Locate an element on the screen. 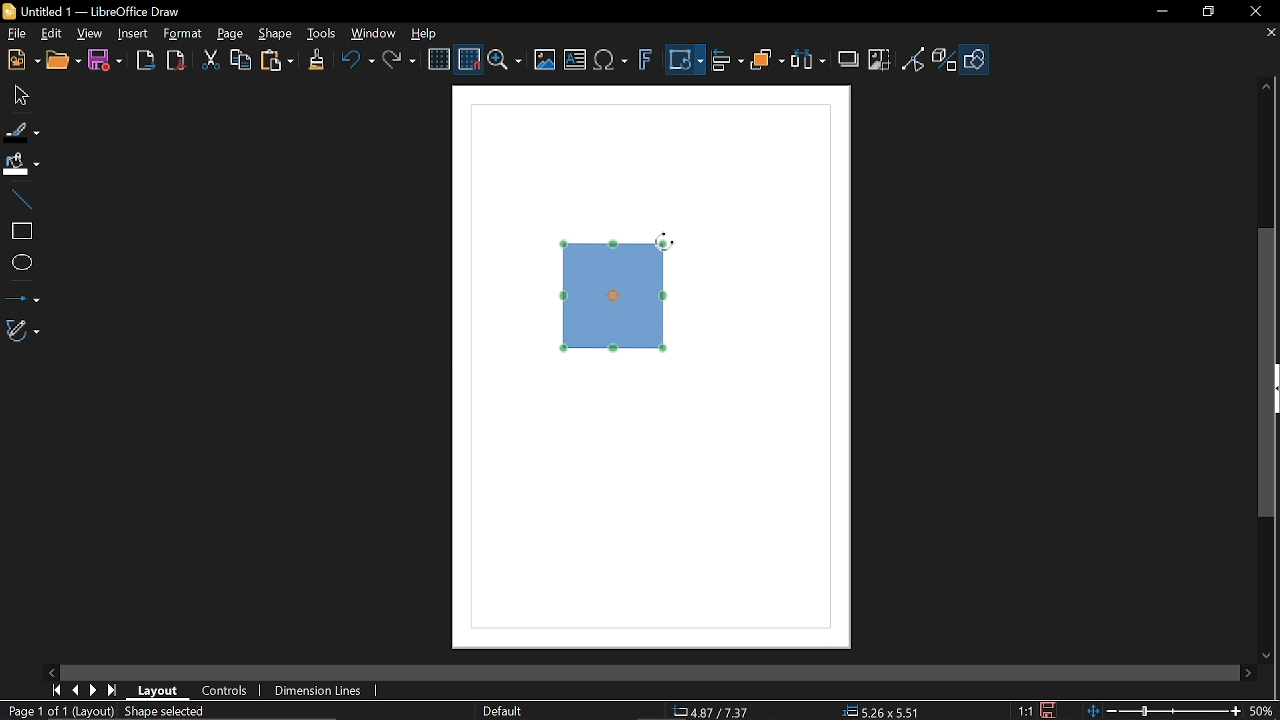 This screenshot has width=1280, height=720. Shapes is located at coordinates (974, 59).